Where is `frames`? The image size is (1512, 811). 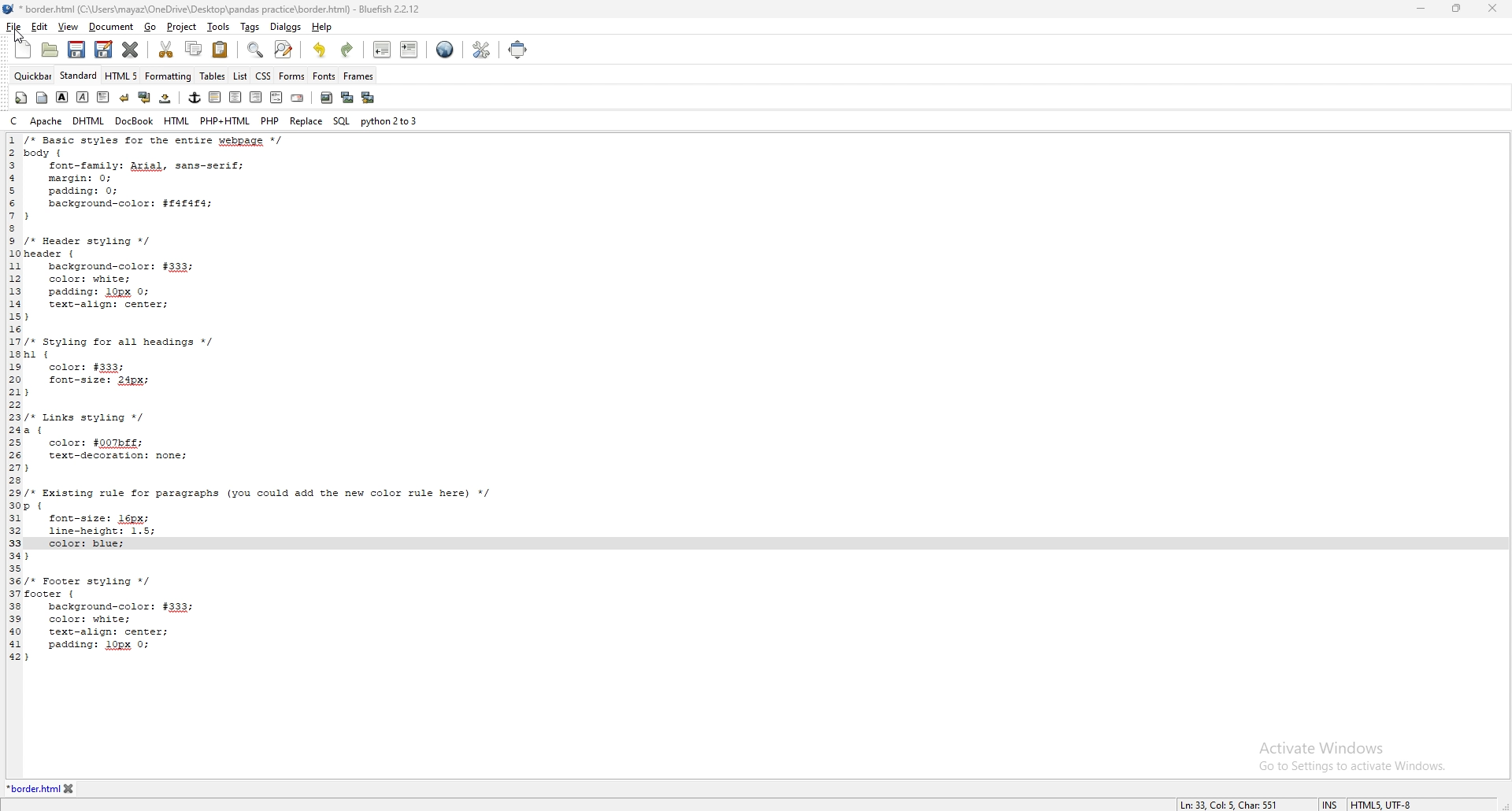 frames is located at coordinates (359, 75).